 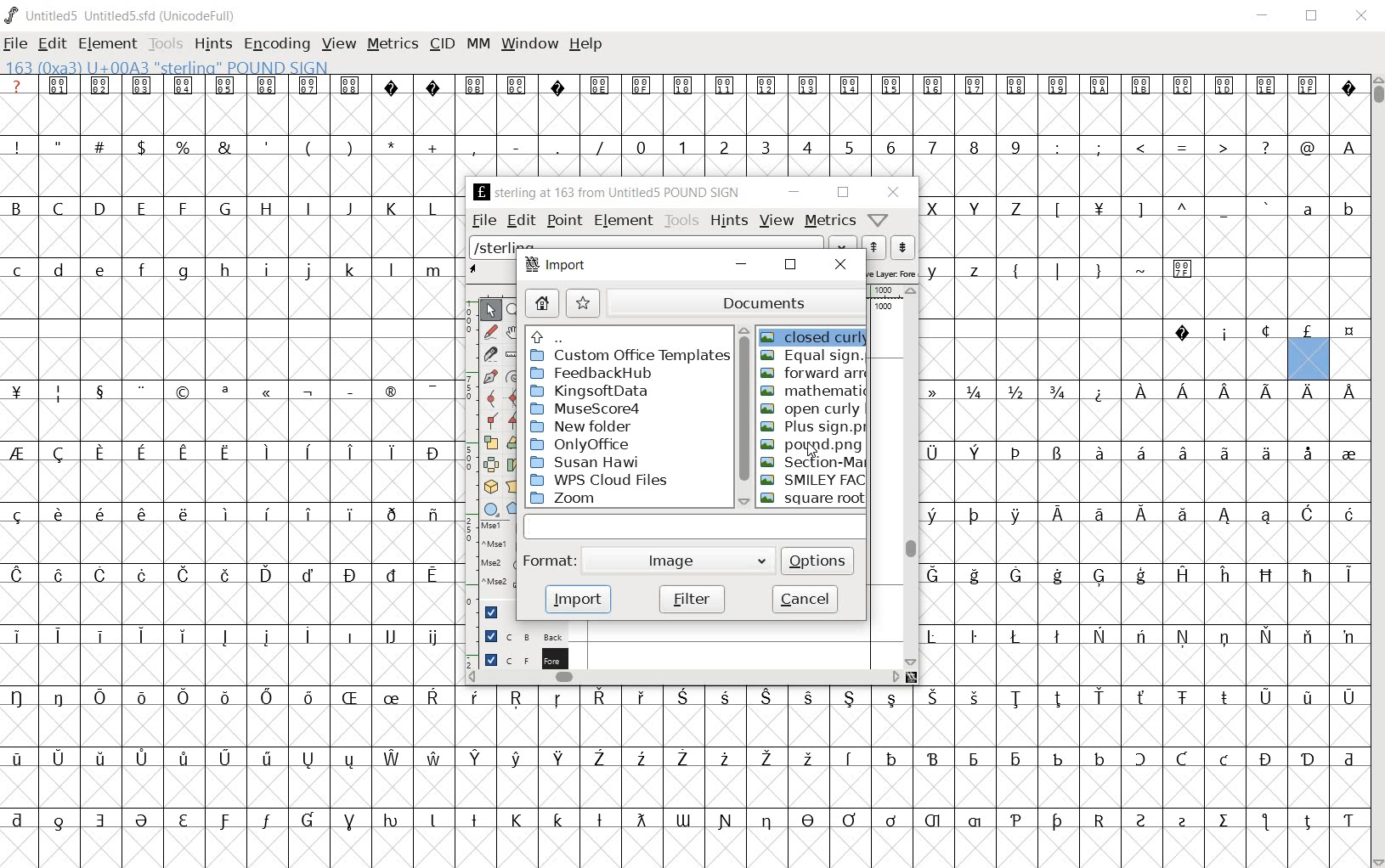 What do you see at coordinates (309, 148) in the screenshot?
I see `(` at bounding box center [309, 148].